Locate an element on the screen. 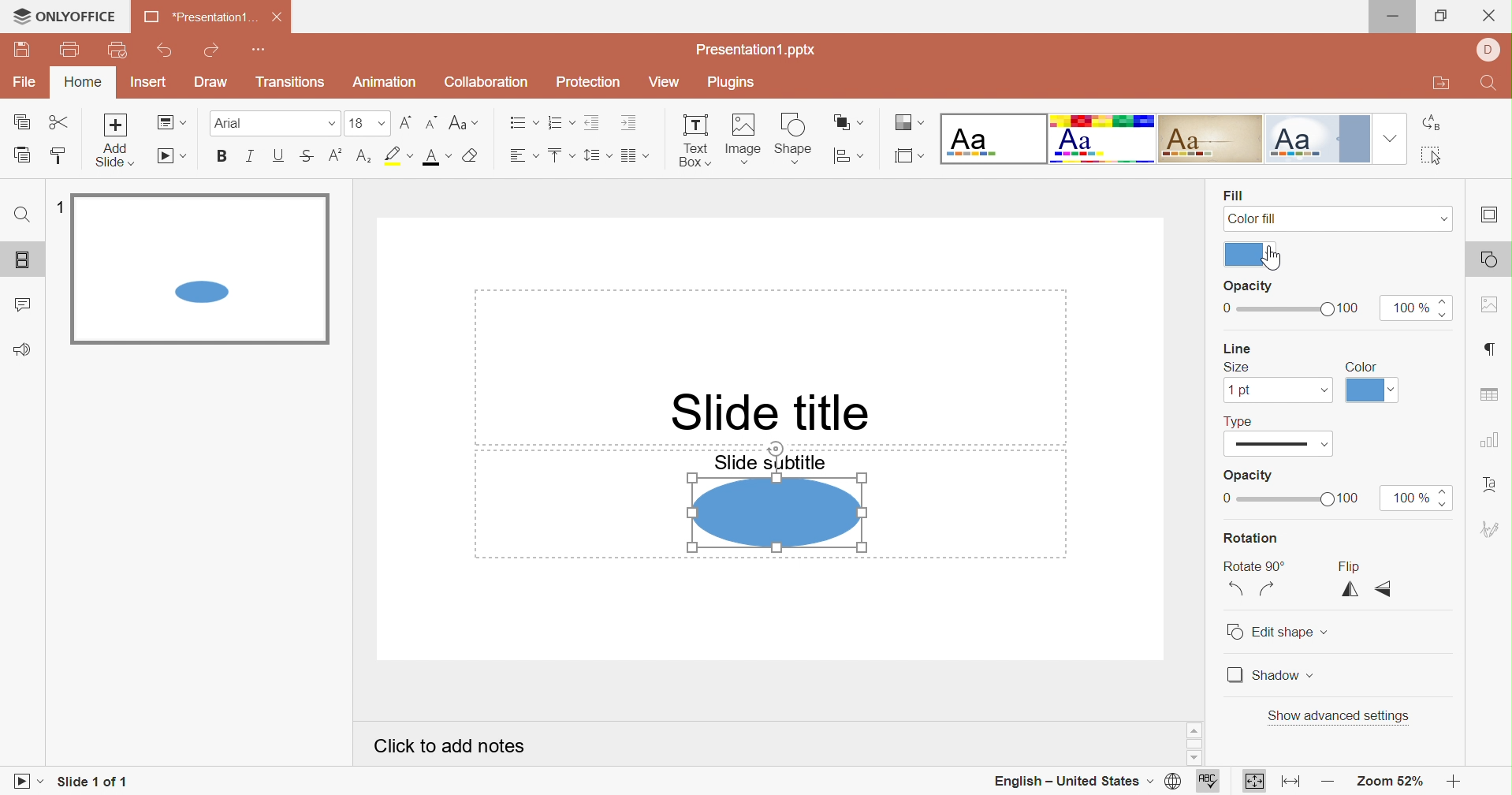 This screenshot has width=1512, height=795. Select all is located at coordinates (1432, 155).